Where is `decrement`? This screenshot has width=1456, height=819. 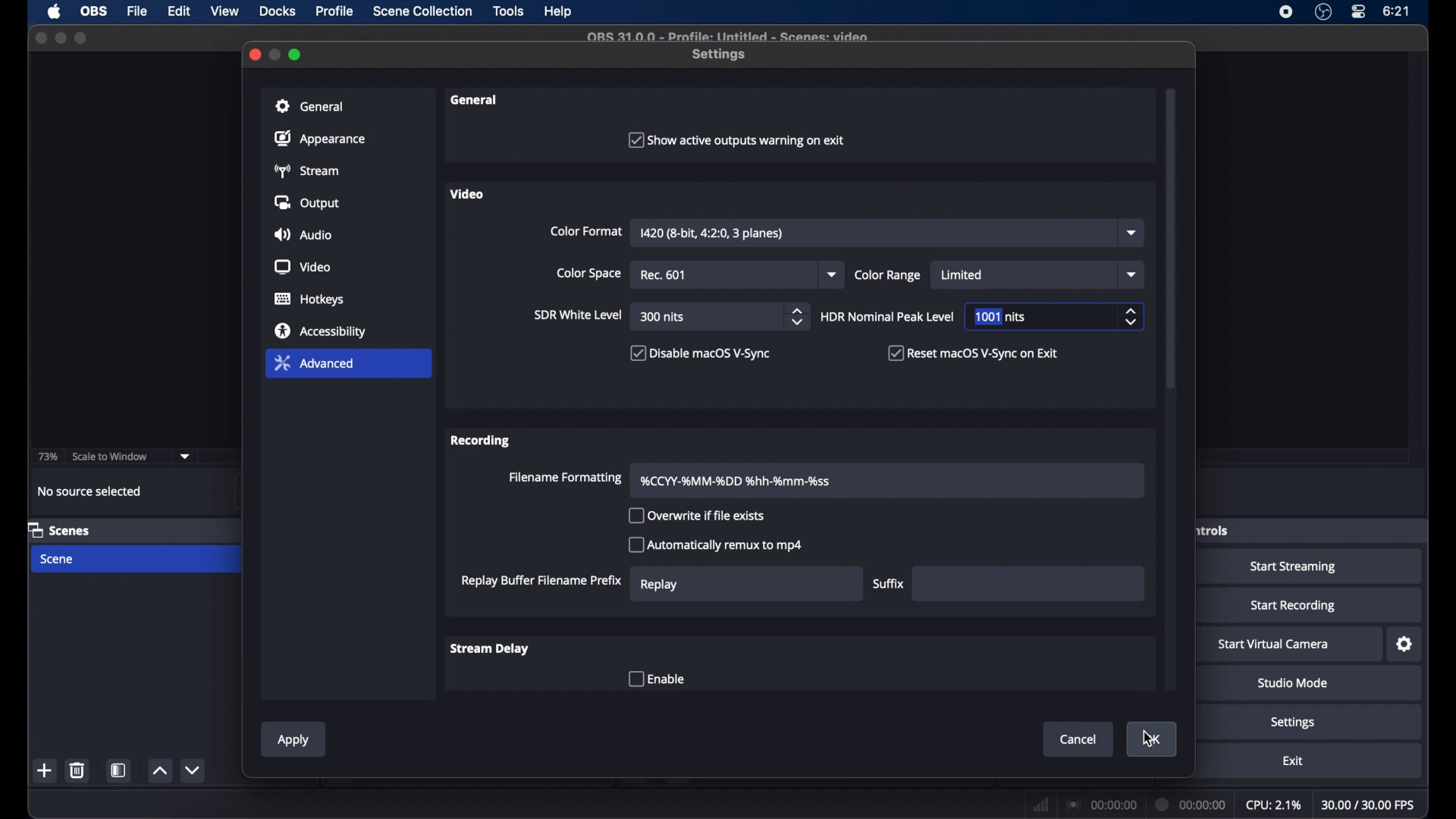
decrement is located at coordinates (195, 770).